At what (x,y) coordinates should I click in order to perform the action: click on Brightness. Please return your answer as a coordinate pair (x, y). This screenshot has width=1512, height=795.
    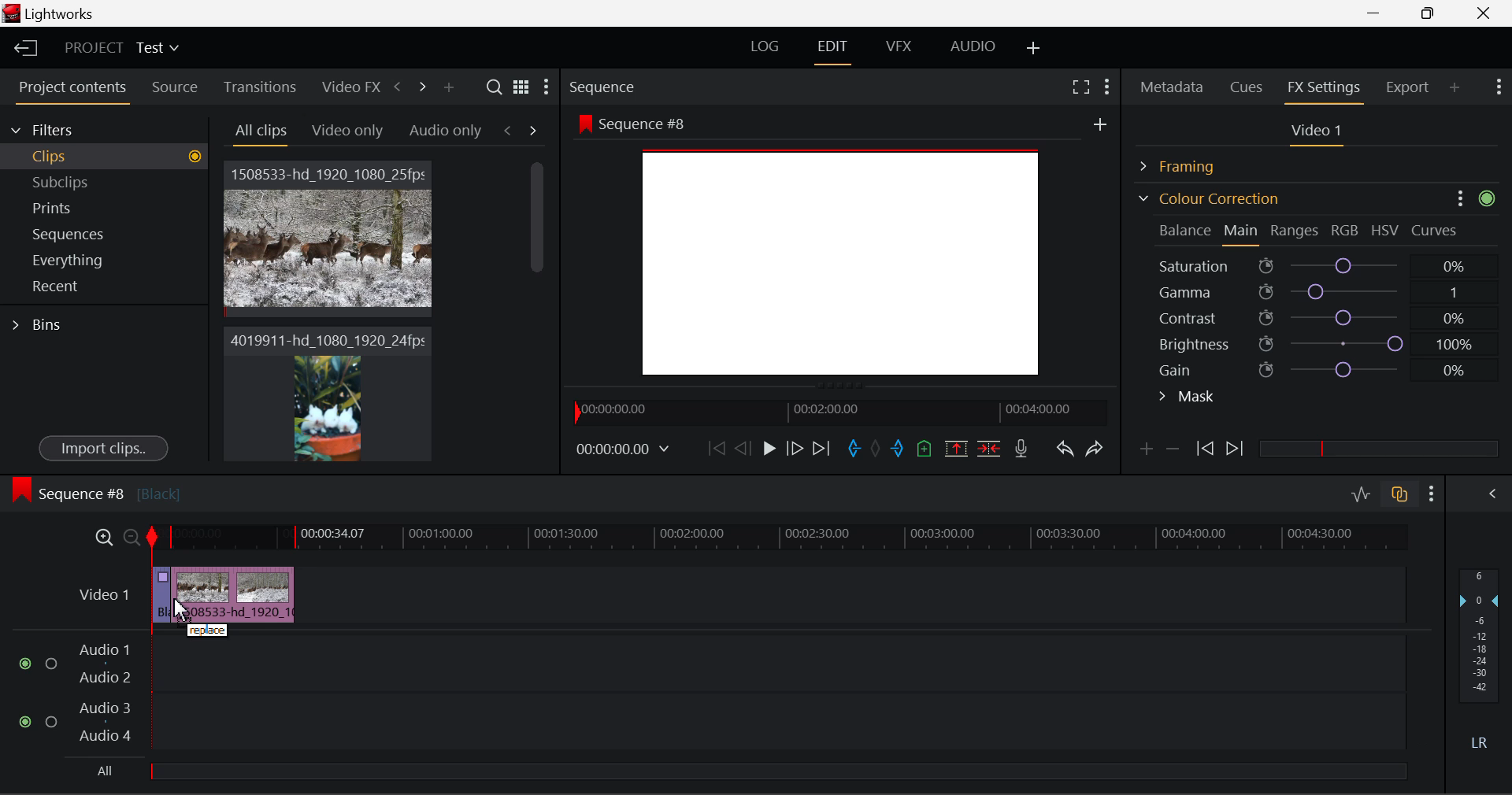
    Looking at the image, I should click on (1318, 341).